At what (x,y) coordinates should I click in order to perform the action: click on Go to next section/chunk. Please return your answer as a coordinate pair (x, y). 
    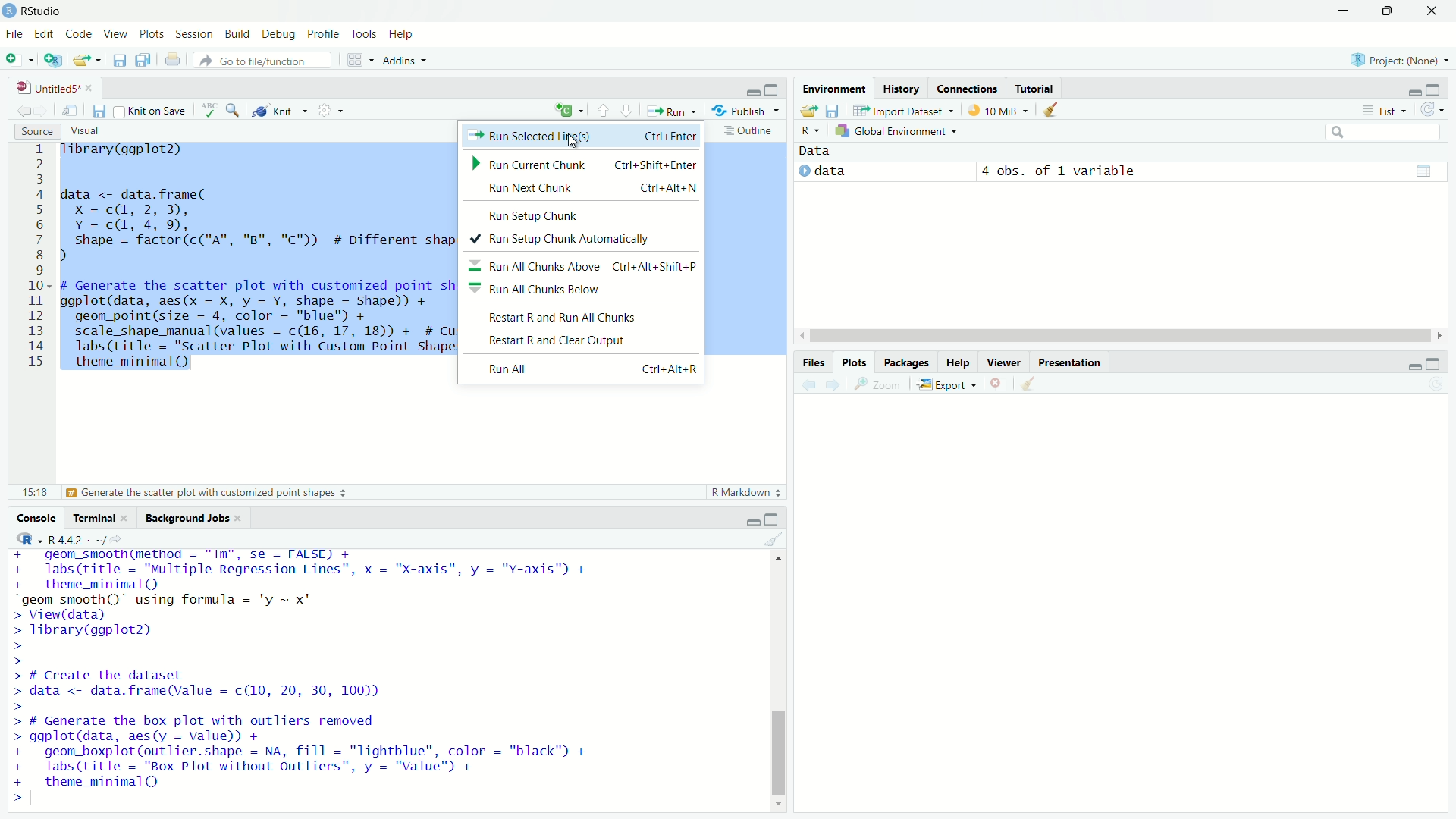
    Looking at the image, I should click on (625, 109).